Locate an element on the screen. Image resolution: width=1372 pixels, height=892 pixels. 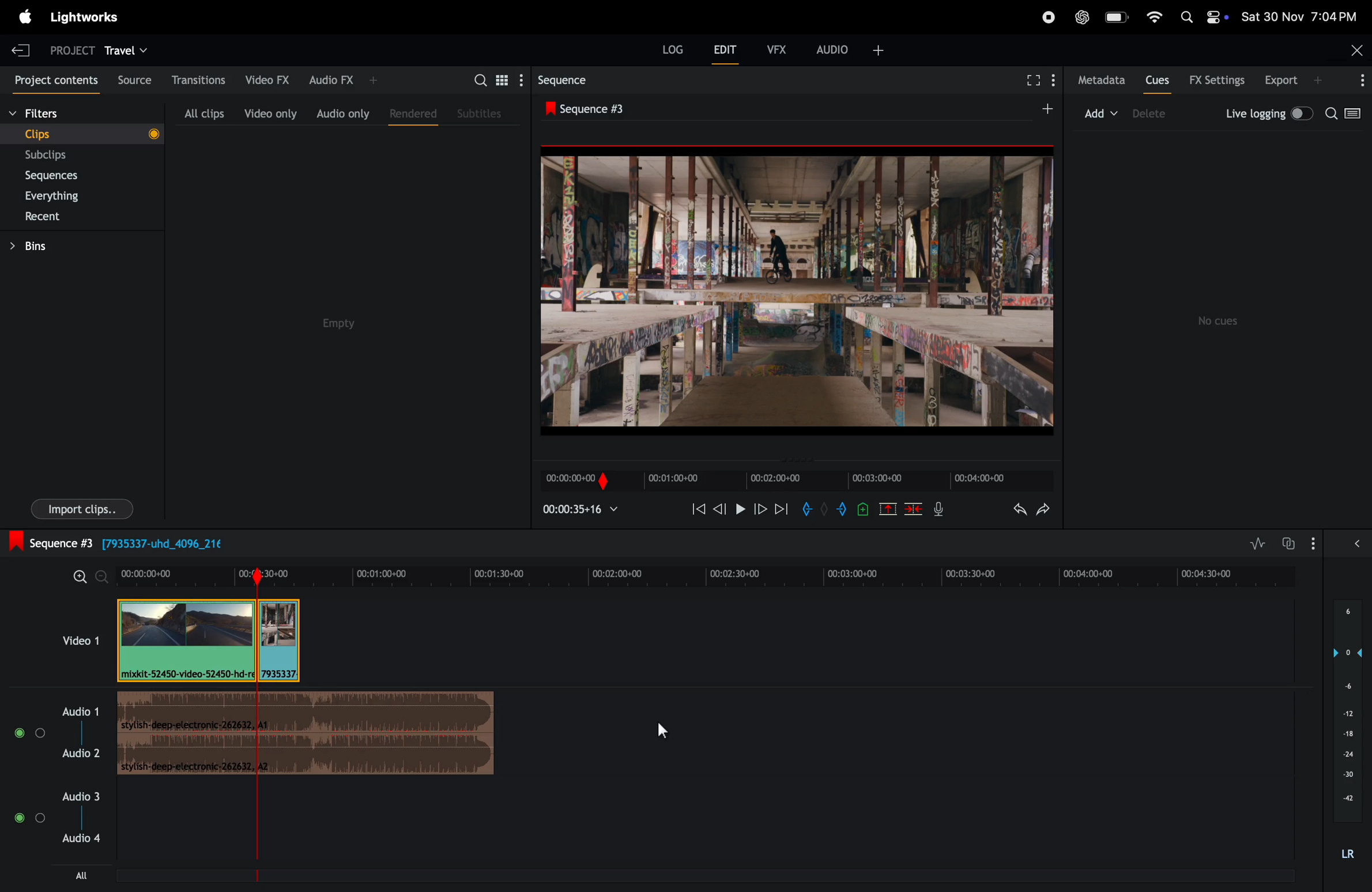
project is located at coordinates (67, 49).